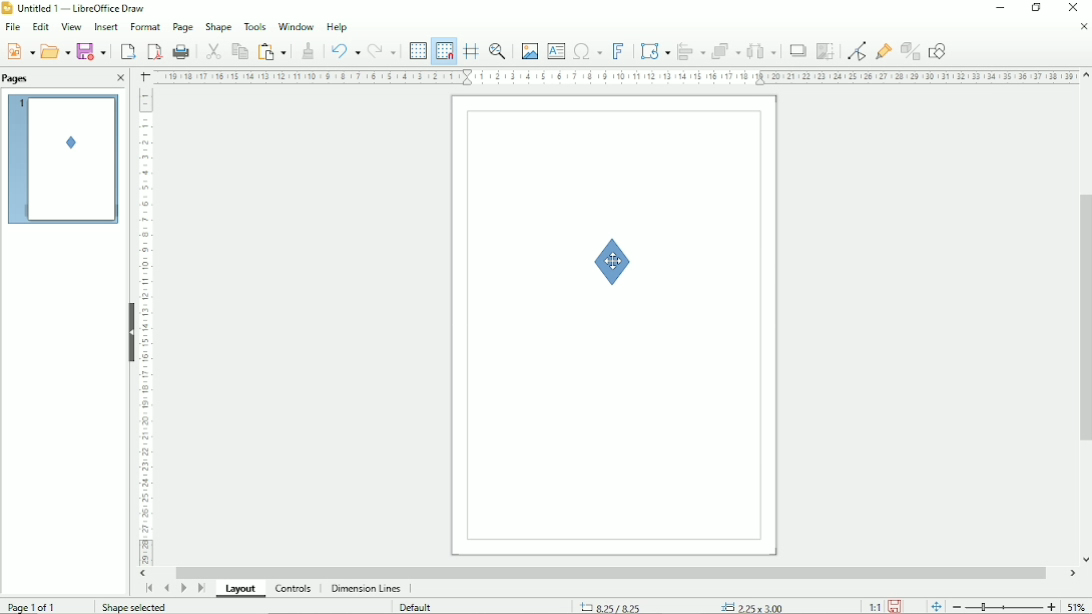 The width and height of the screenshot is (1092, 614). I want to click on Save, so click(898, 606).